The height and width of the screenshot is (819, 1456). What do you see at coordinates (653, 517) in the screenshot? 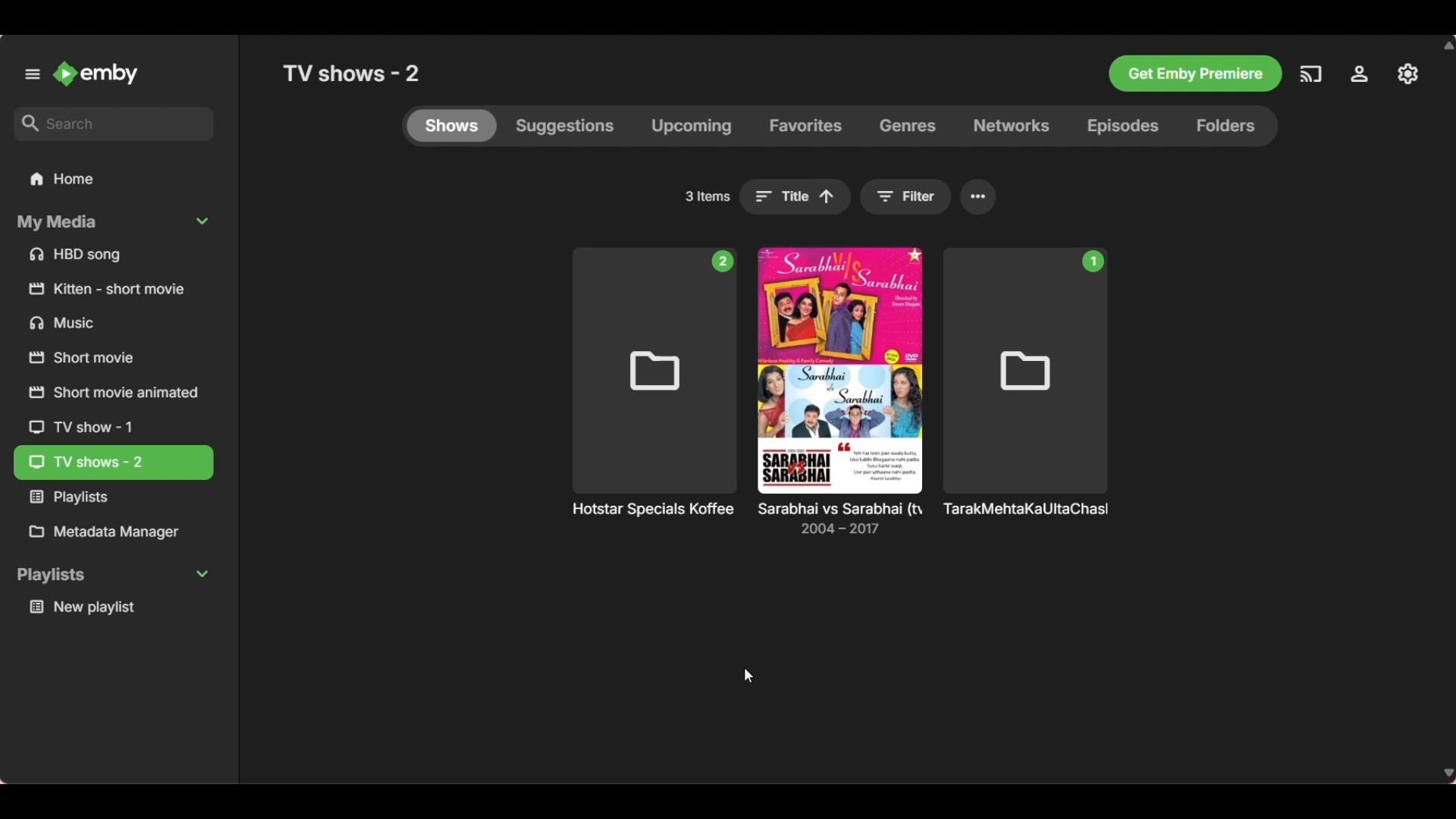
I see `TV shows sorted according to IMDb rating in ascending order` at bounding box center [653, 517].